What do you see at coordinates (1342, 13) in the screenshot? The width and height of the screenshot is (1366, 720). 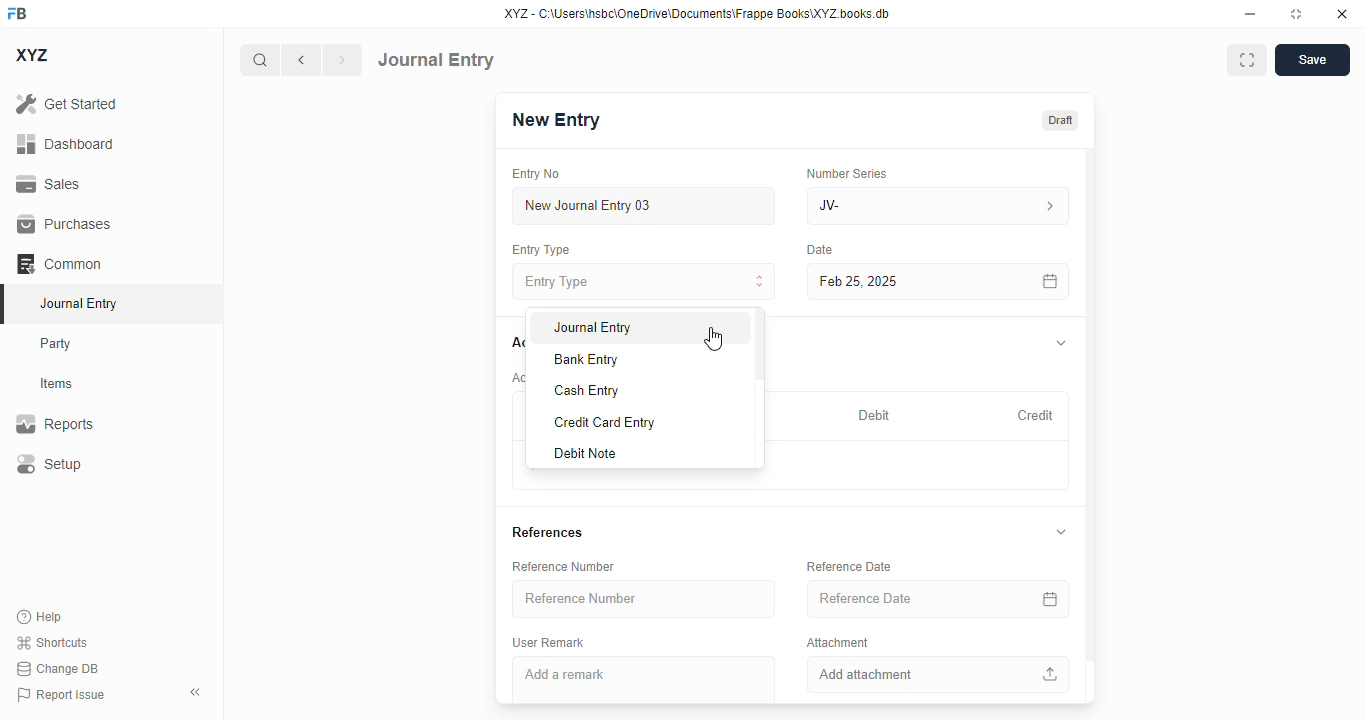 I see `close` at bounding box center [1342, 13].